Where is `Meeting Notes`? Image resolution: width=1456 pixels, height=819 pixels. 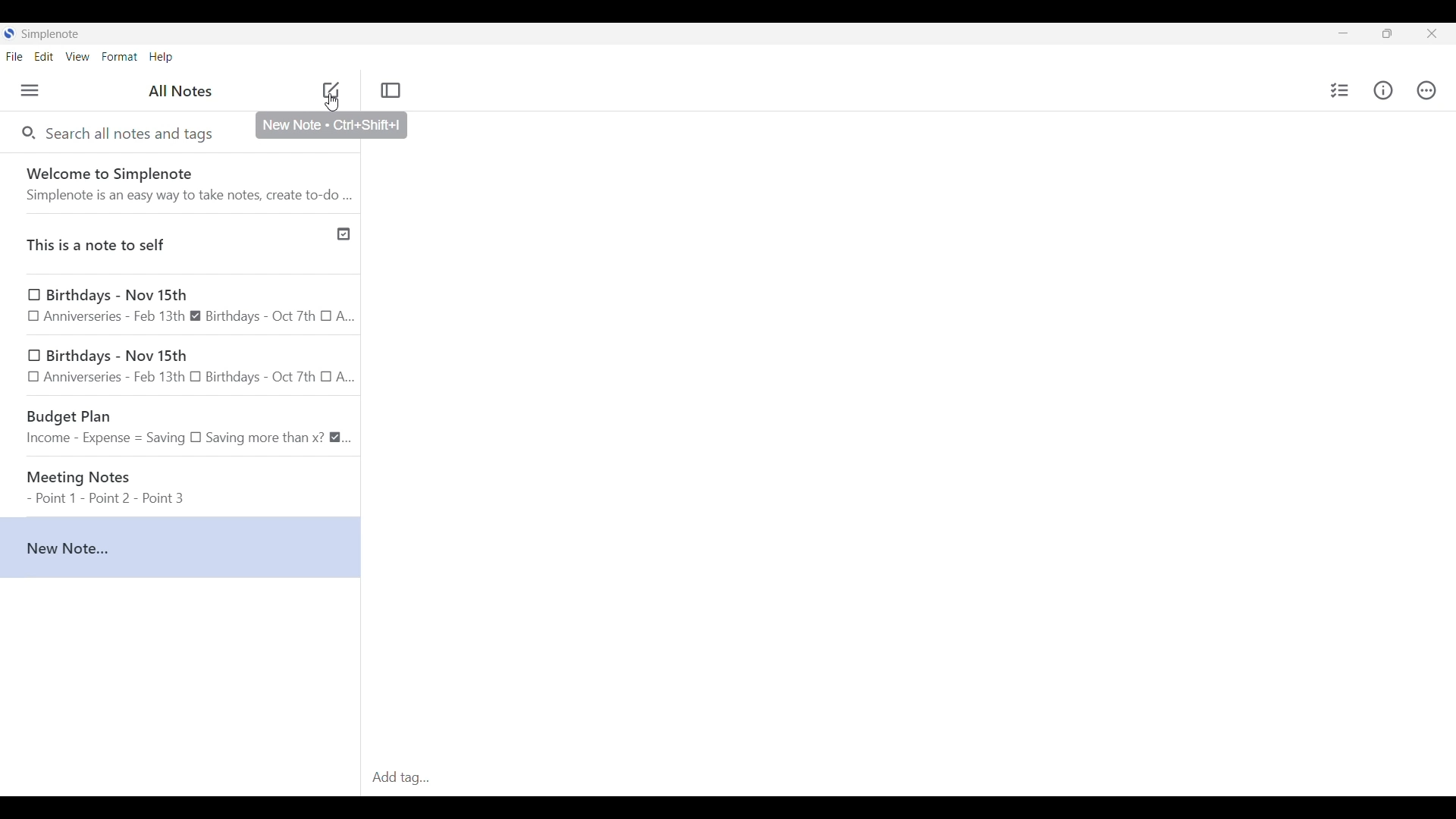 Meeting Notes is located at coordinates (182, 482).